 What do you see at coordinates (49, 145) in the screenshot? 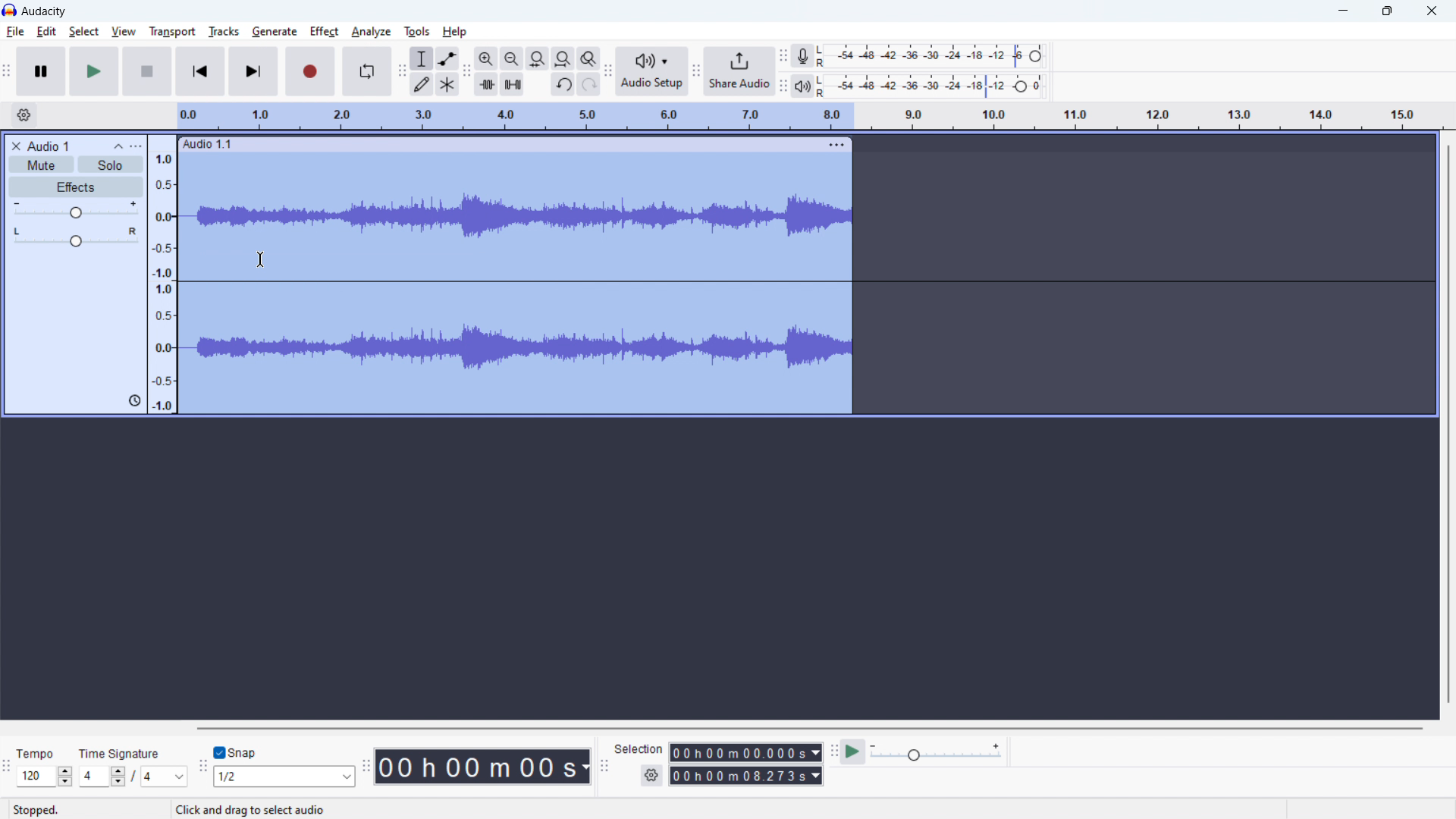
I see `track title` at bounding box center [49, 145].